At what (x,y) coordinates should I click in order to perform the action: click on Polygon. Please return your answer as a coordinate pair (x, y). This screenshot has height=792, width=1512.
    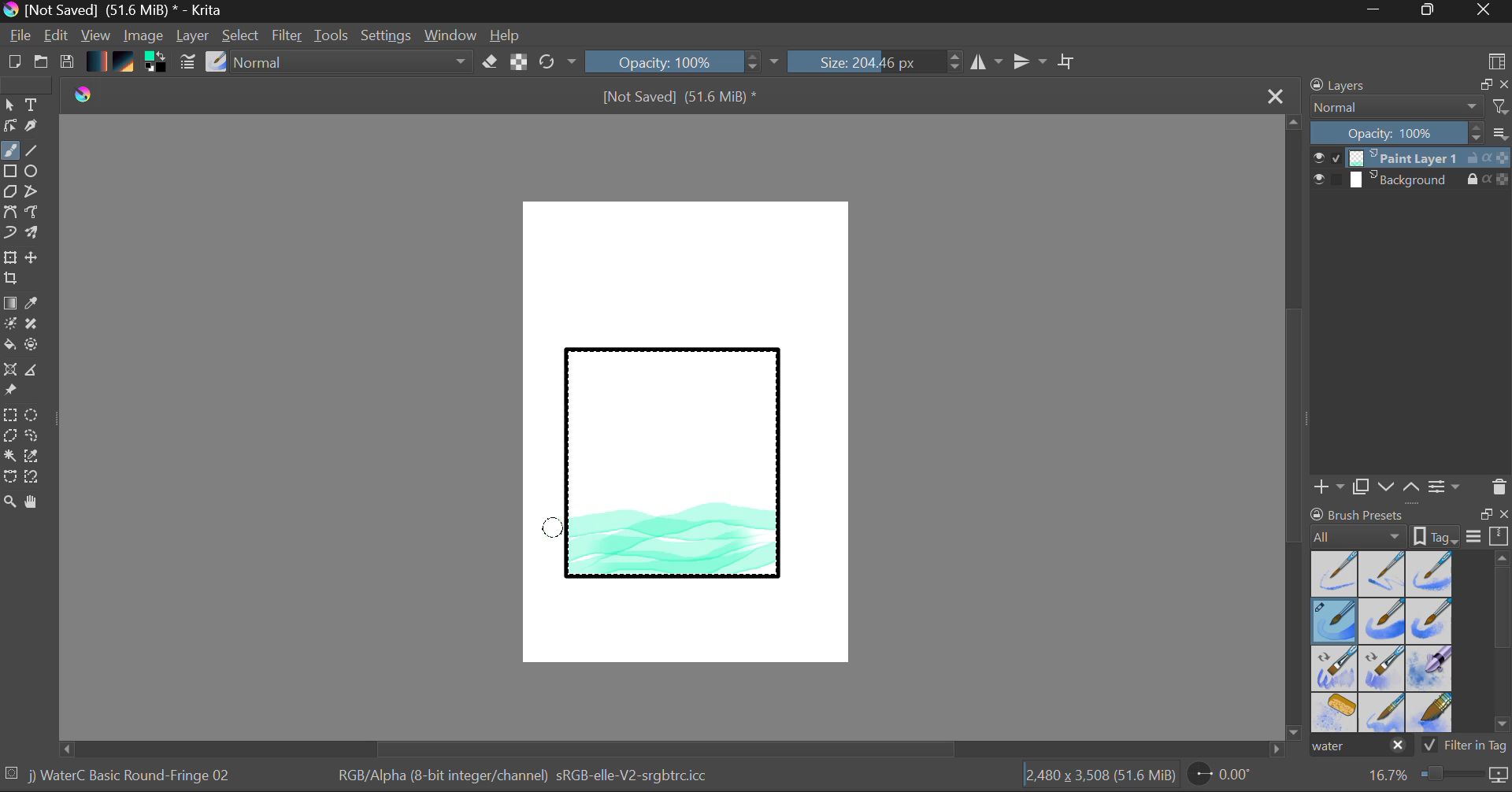
    Looking at the image, I should click on (9, 192).